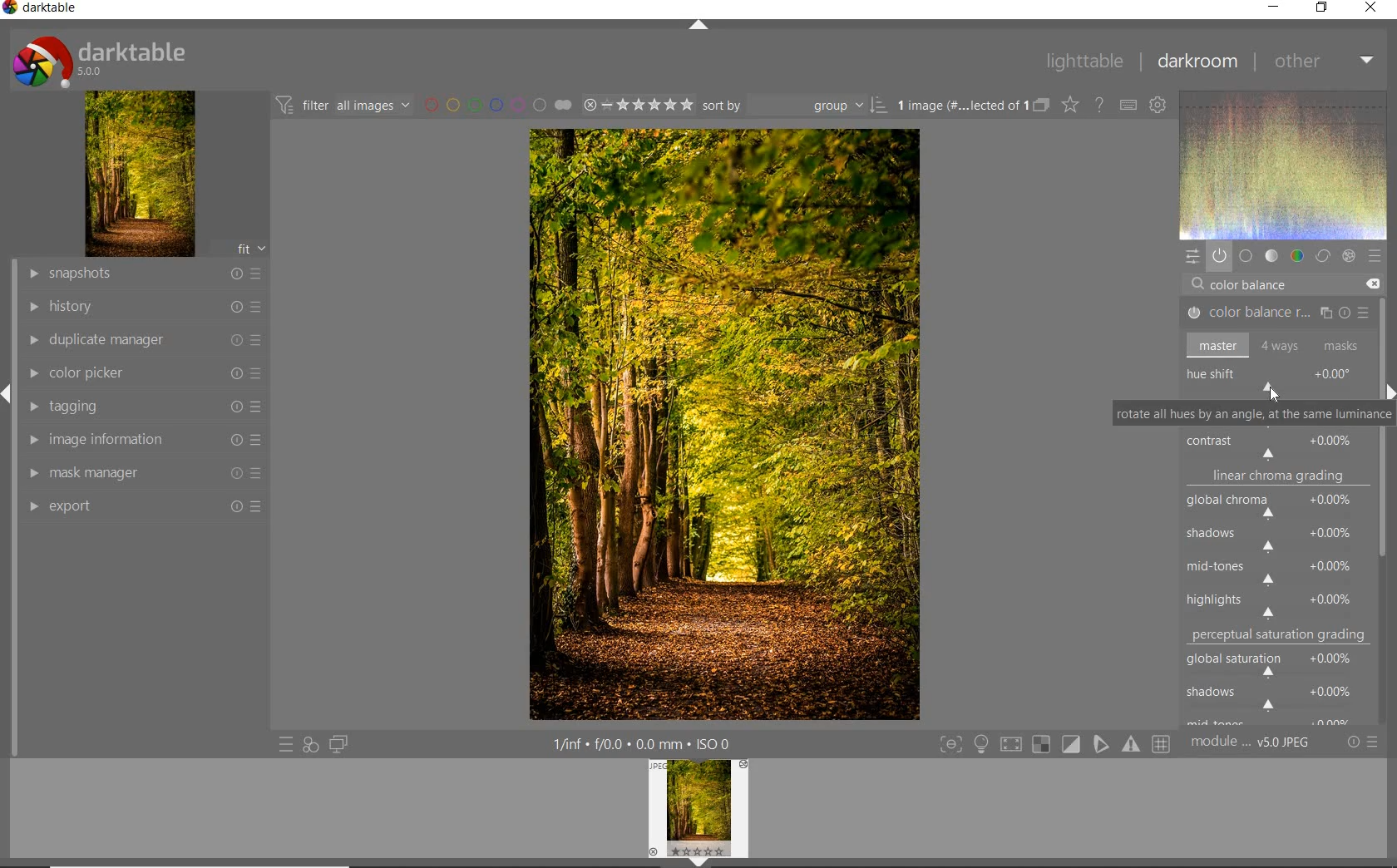 This screenshot has height=868, width=1397. Describe the element at coordinates (696, 25) in the screenshot. I see `expand/collapse` at that location.